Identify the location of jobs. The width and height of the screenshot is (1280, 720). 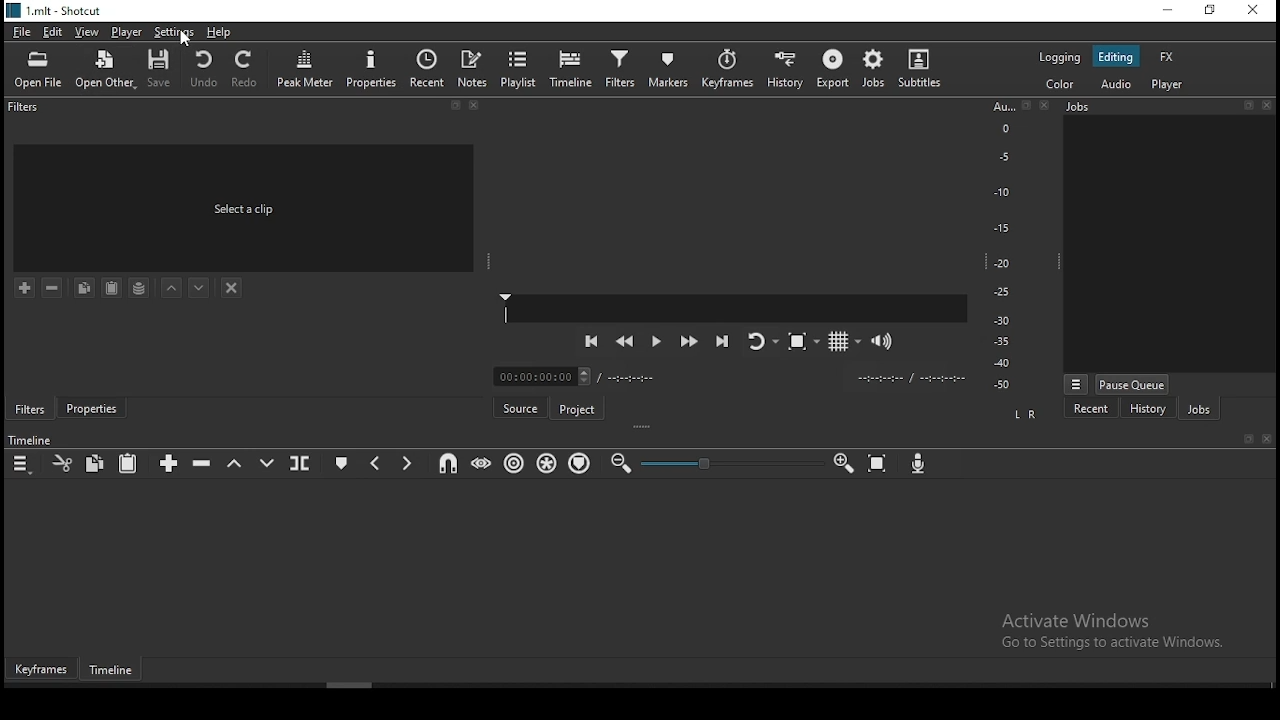
(872, 69).